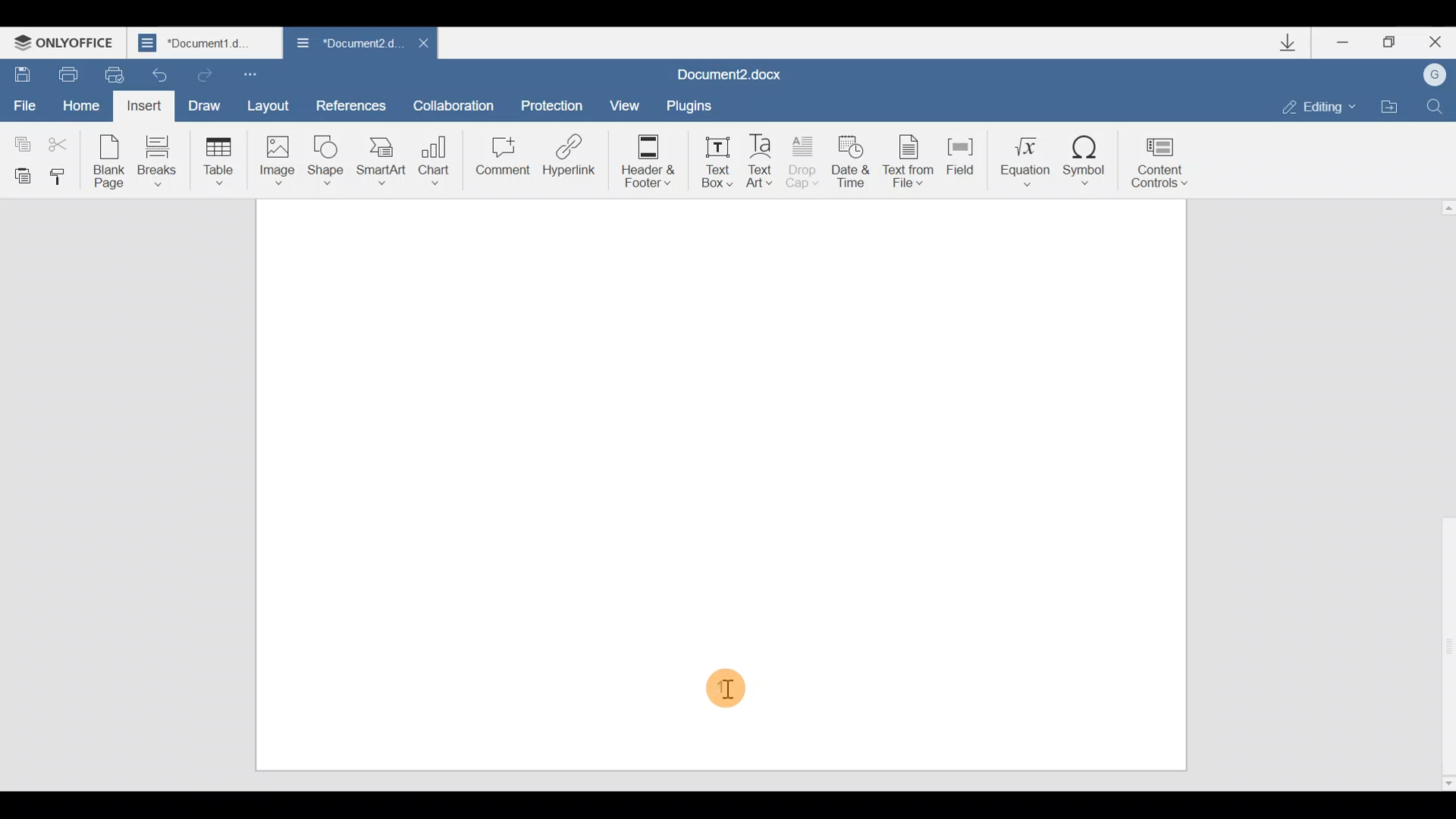  I want to click on SmartArt, so click(381, 160).